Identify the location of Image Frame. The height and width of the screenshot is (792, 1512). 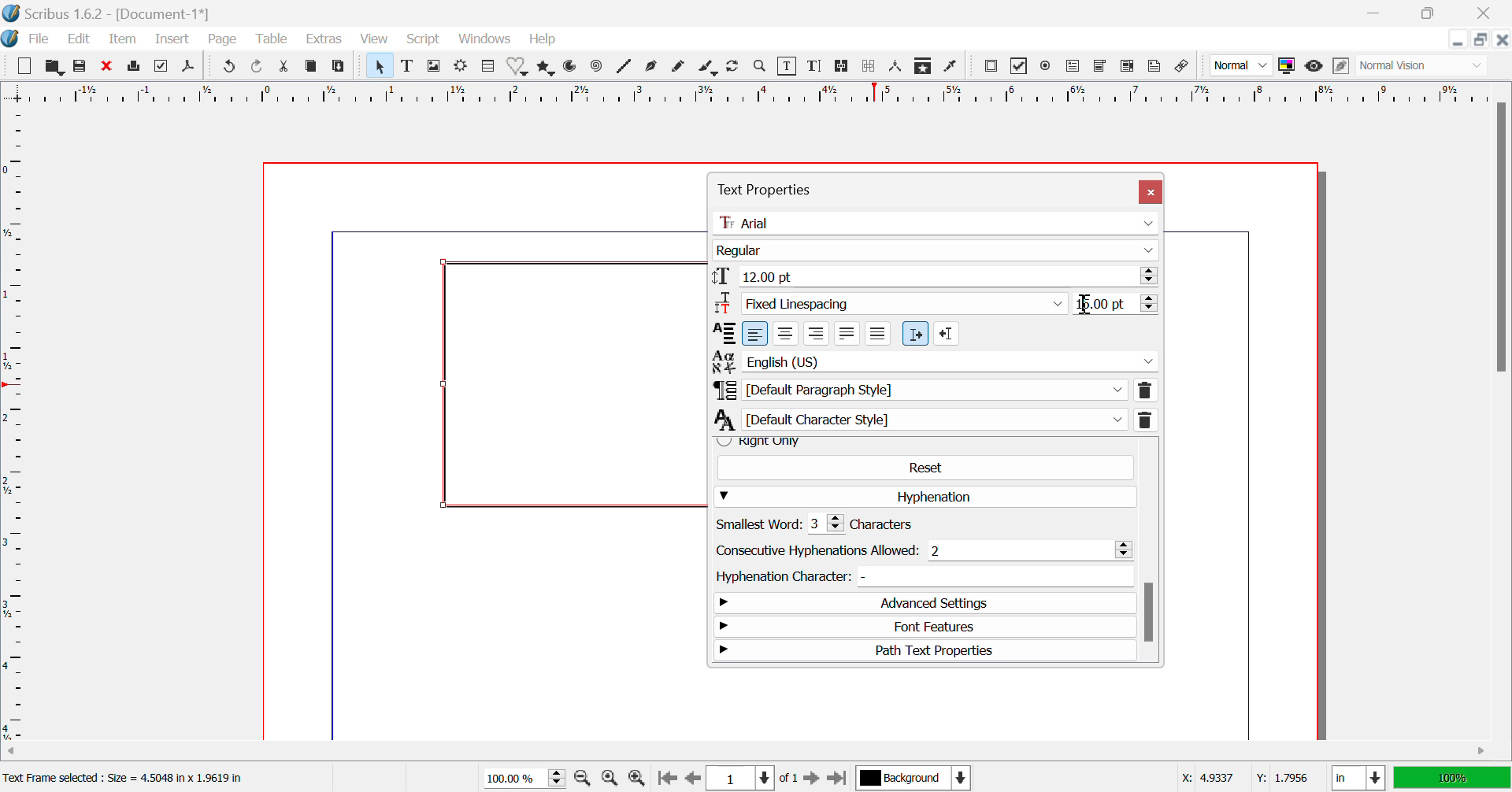
(435, 66).